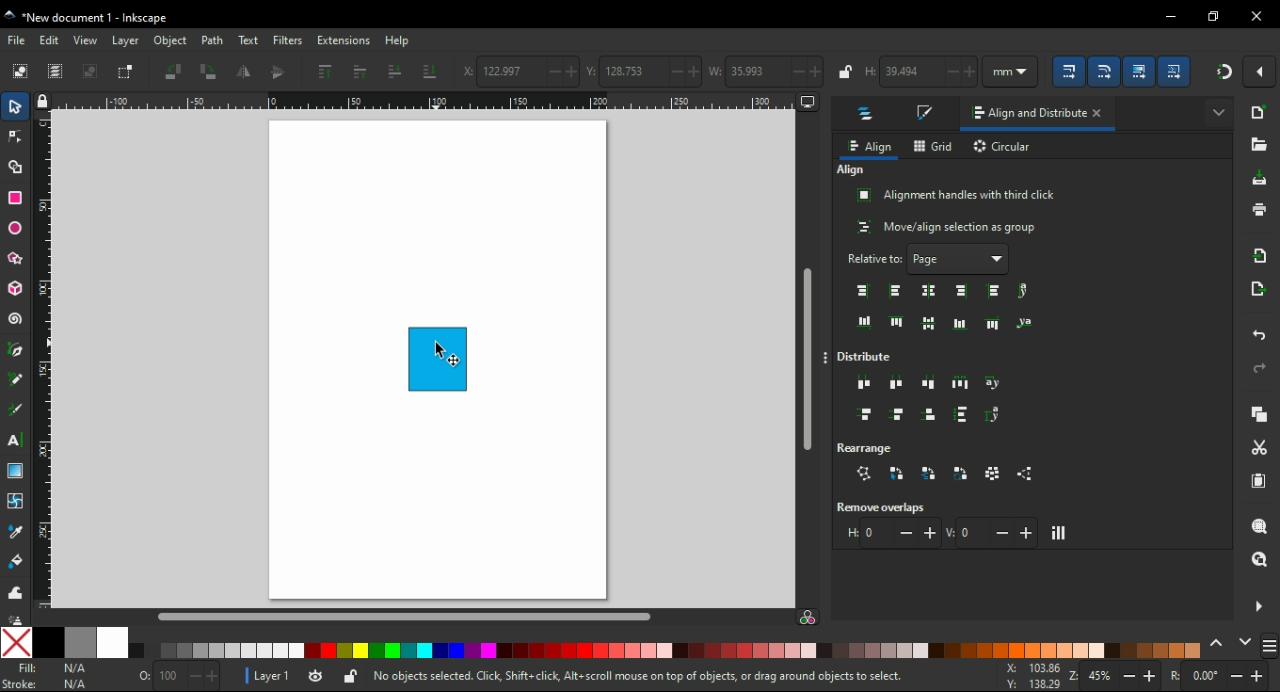 The width and height of the screenshot is (1280, 692). Describe the element at coordinates (871, 146) in the screenshot. I see `align` at that location.